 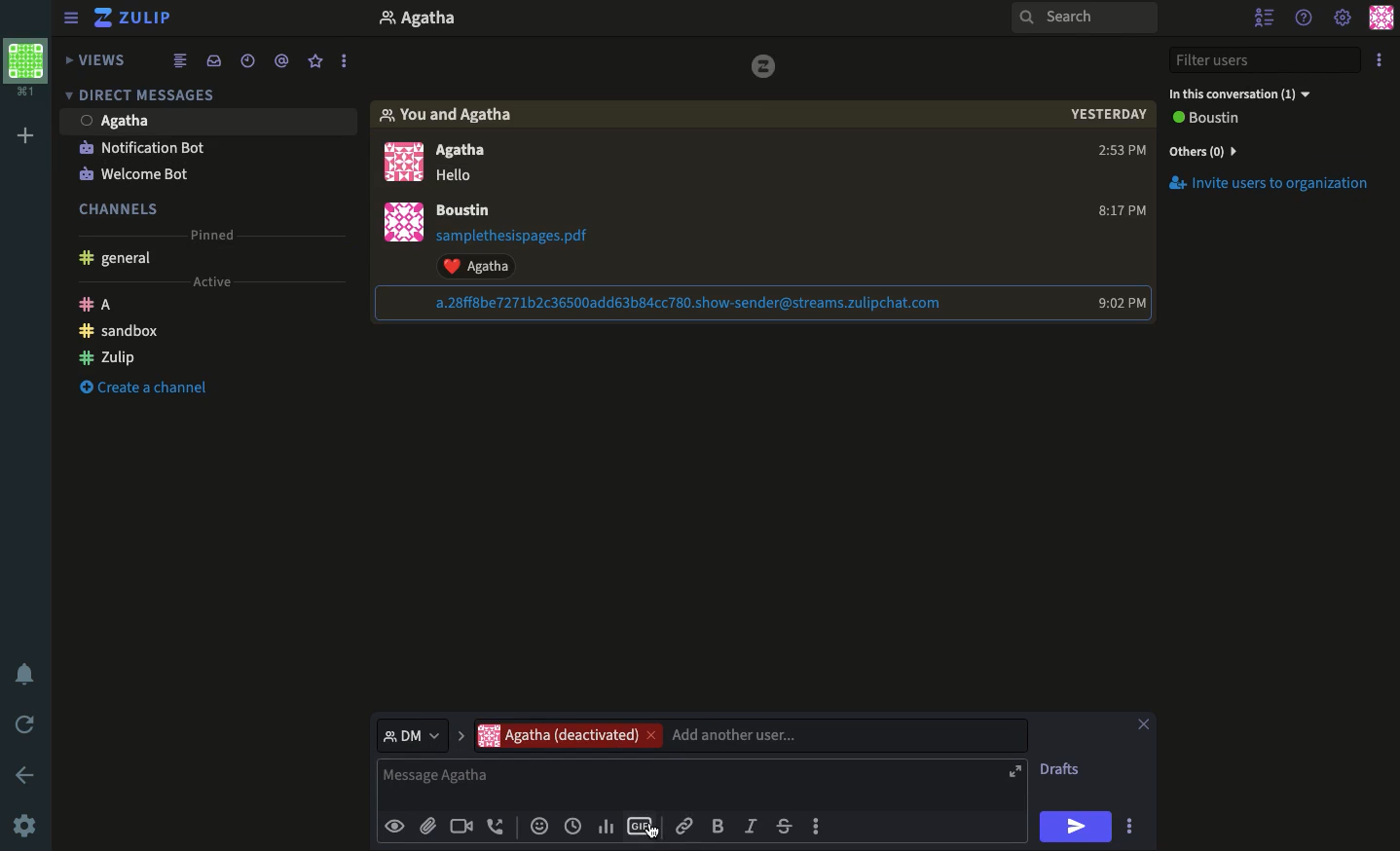 I want to click on Bold, so click(x=718, y=825).